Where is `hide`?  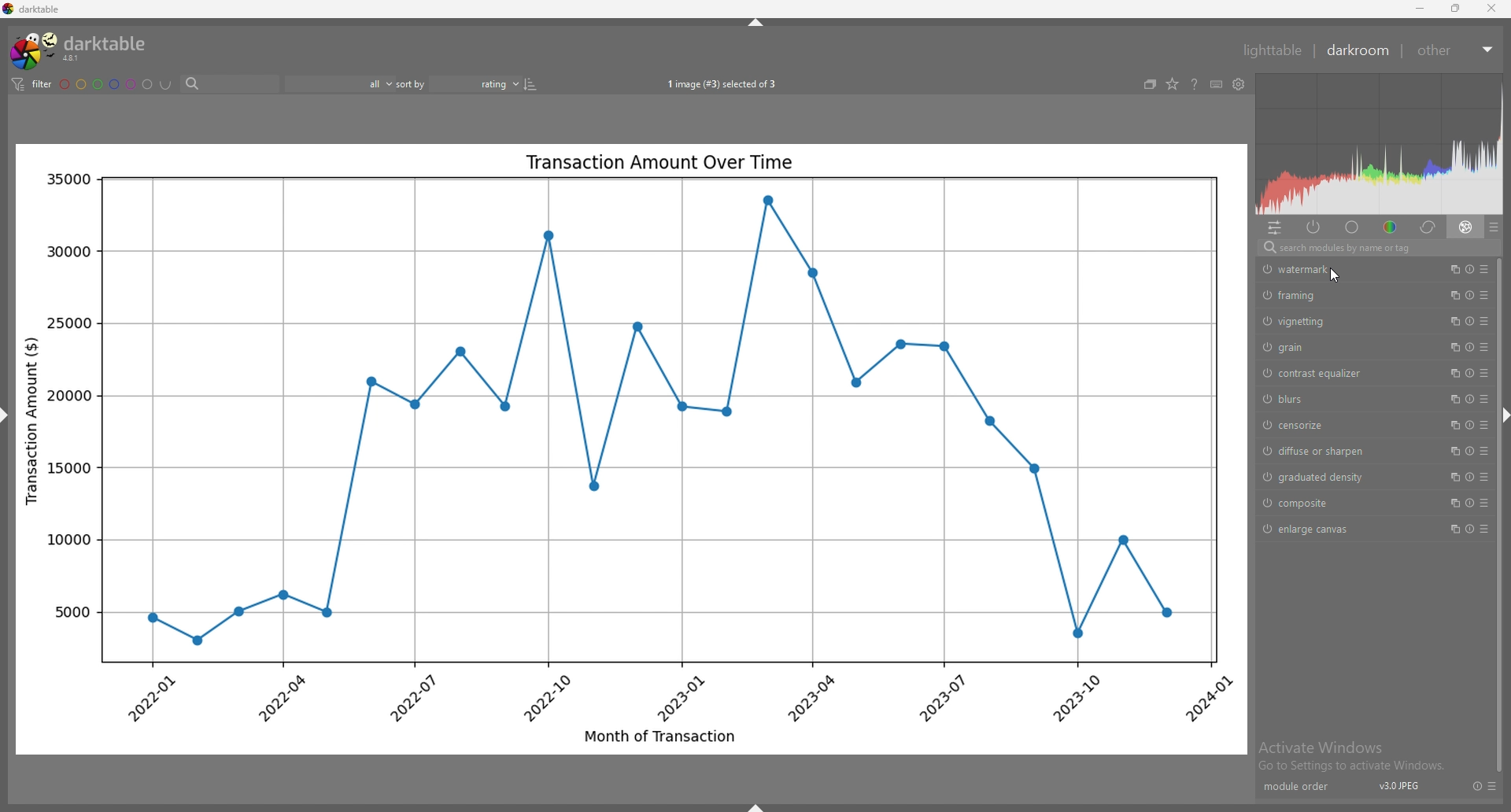 hide is located at coordinates (1502, 416).